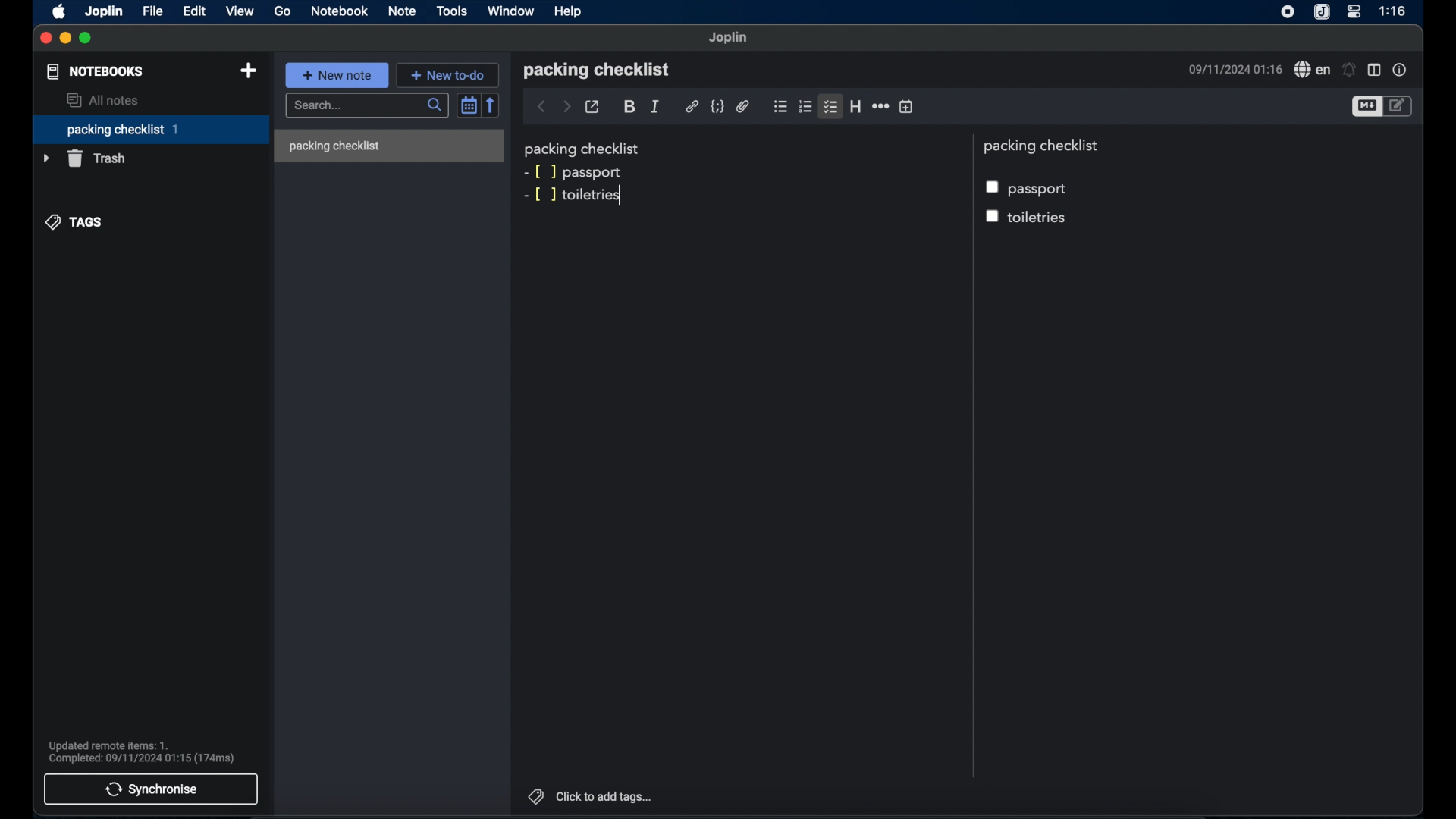 The width and height of the screenshot is (1456, 819). What do you see at coordinates (717, 106) in the screenshot?
I see `code` at bounding box center [717, 106].